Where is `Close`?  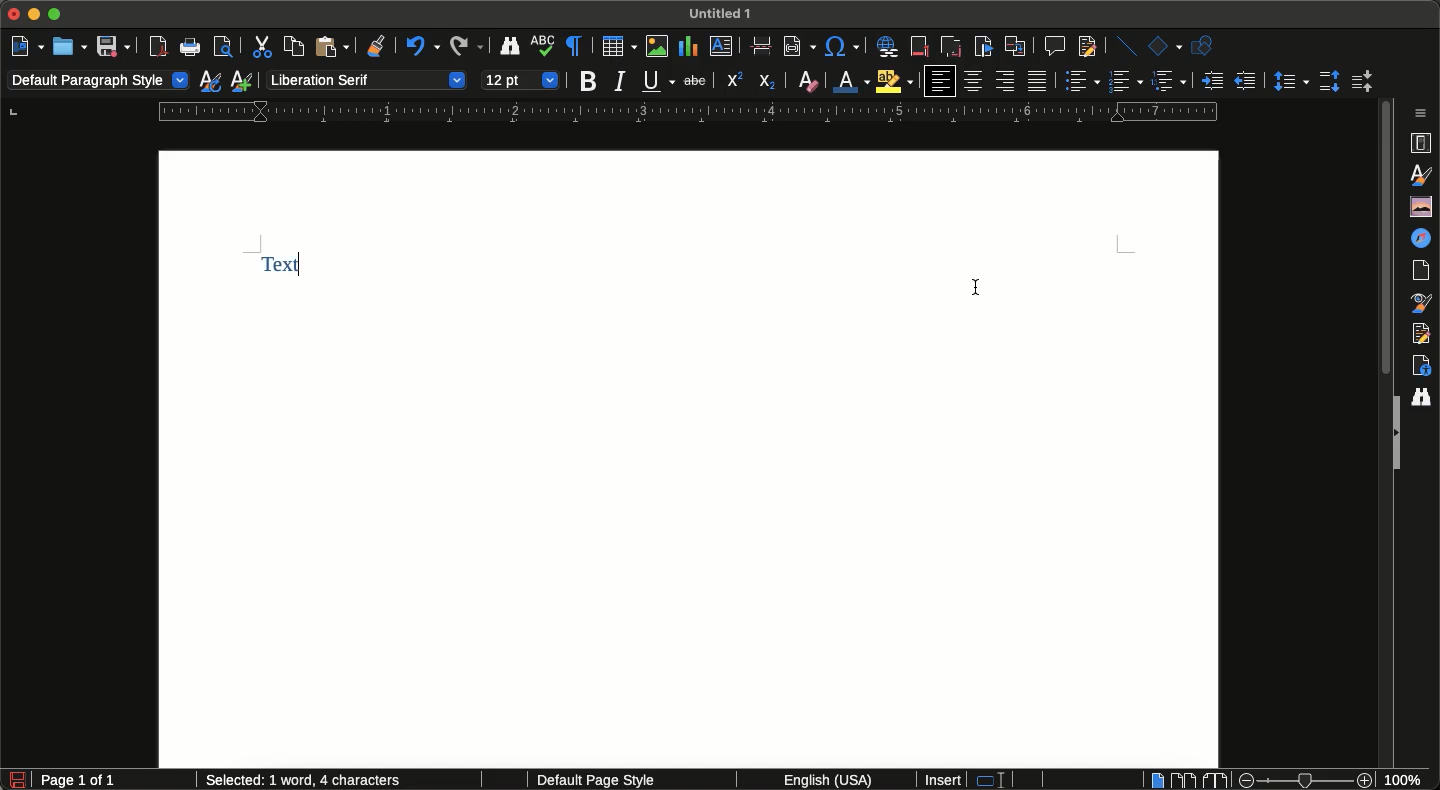 Close is located at coordinates (14, 15).